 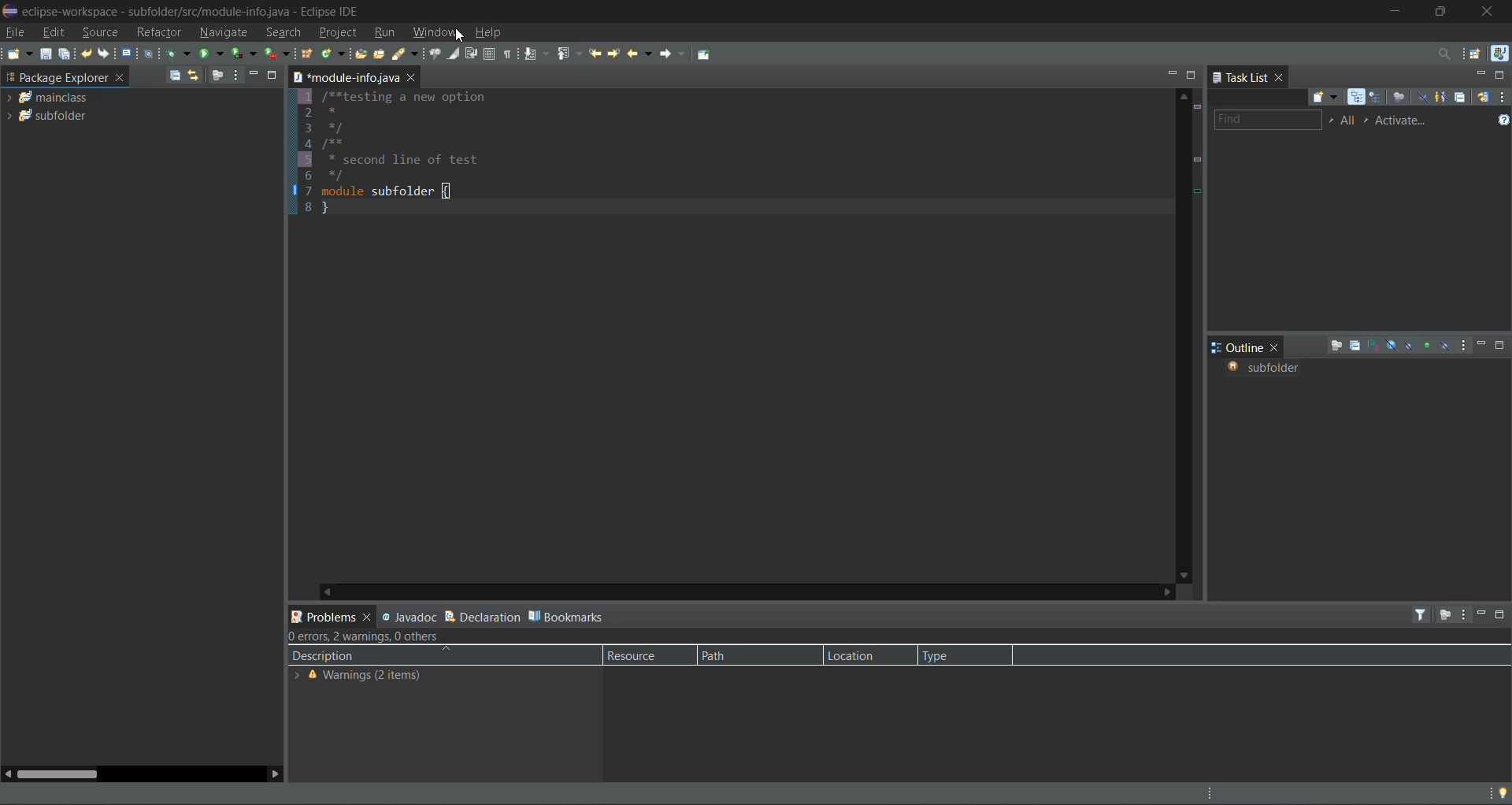 What do you see at coordinates (1395, 13) in the screenshot?
I see `minimize` at bounding box center [1395, 13].